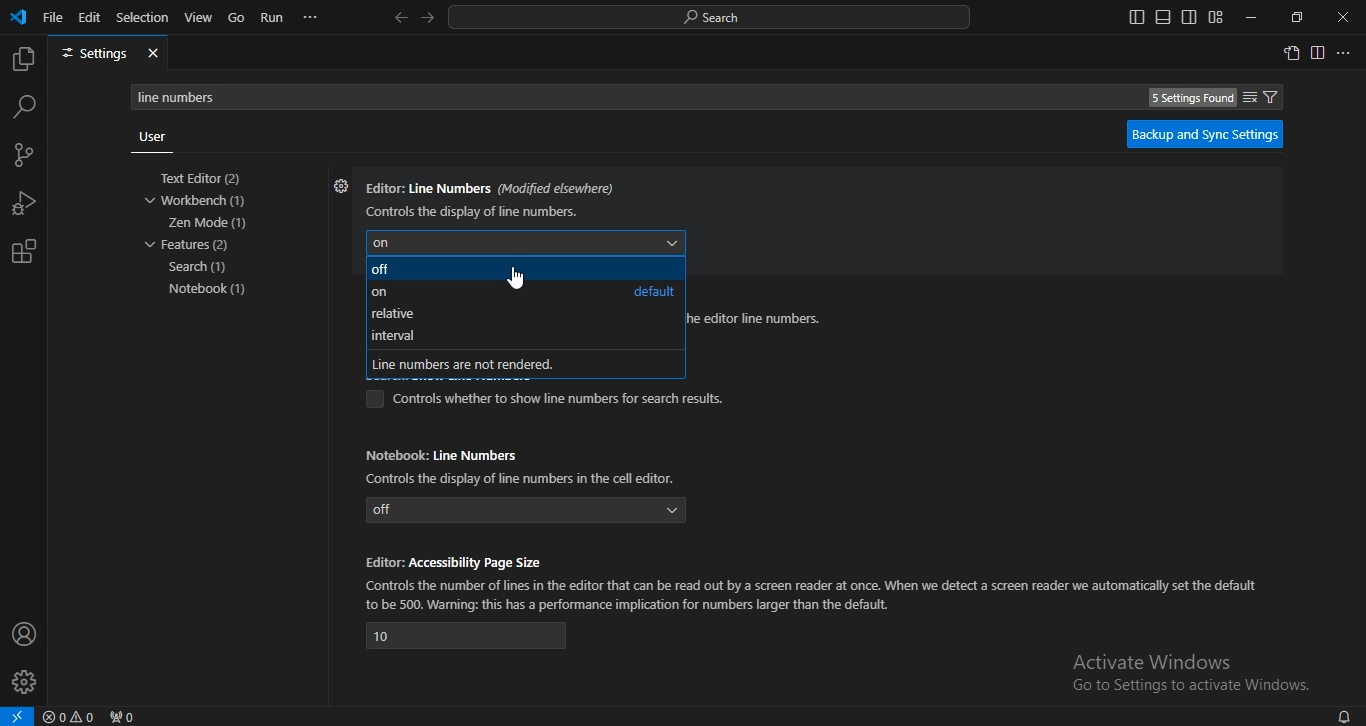  I want to click on interval, so click(395, 337).